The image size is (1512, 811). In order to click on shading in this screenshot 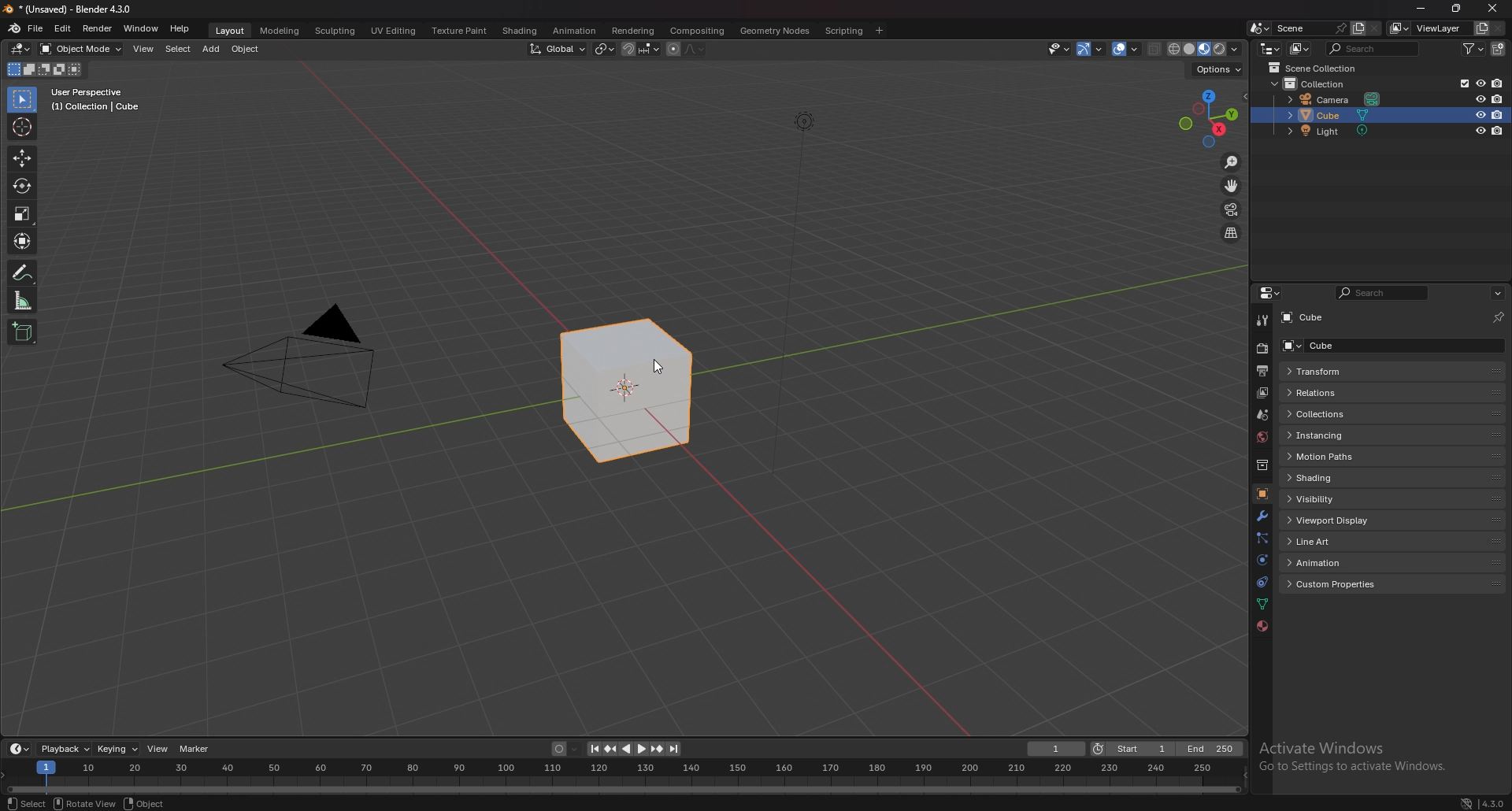, I will do `click(1334, 478)`.